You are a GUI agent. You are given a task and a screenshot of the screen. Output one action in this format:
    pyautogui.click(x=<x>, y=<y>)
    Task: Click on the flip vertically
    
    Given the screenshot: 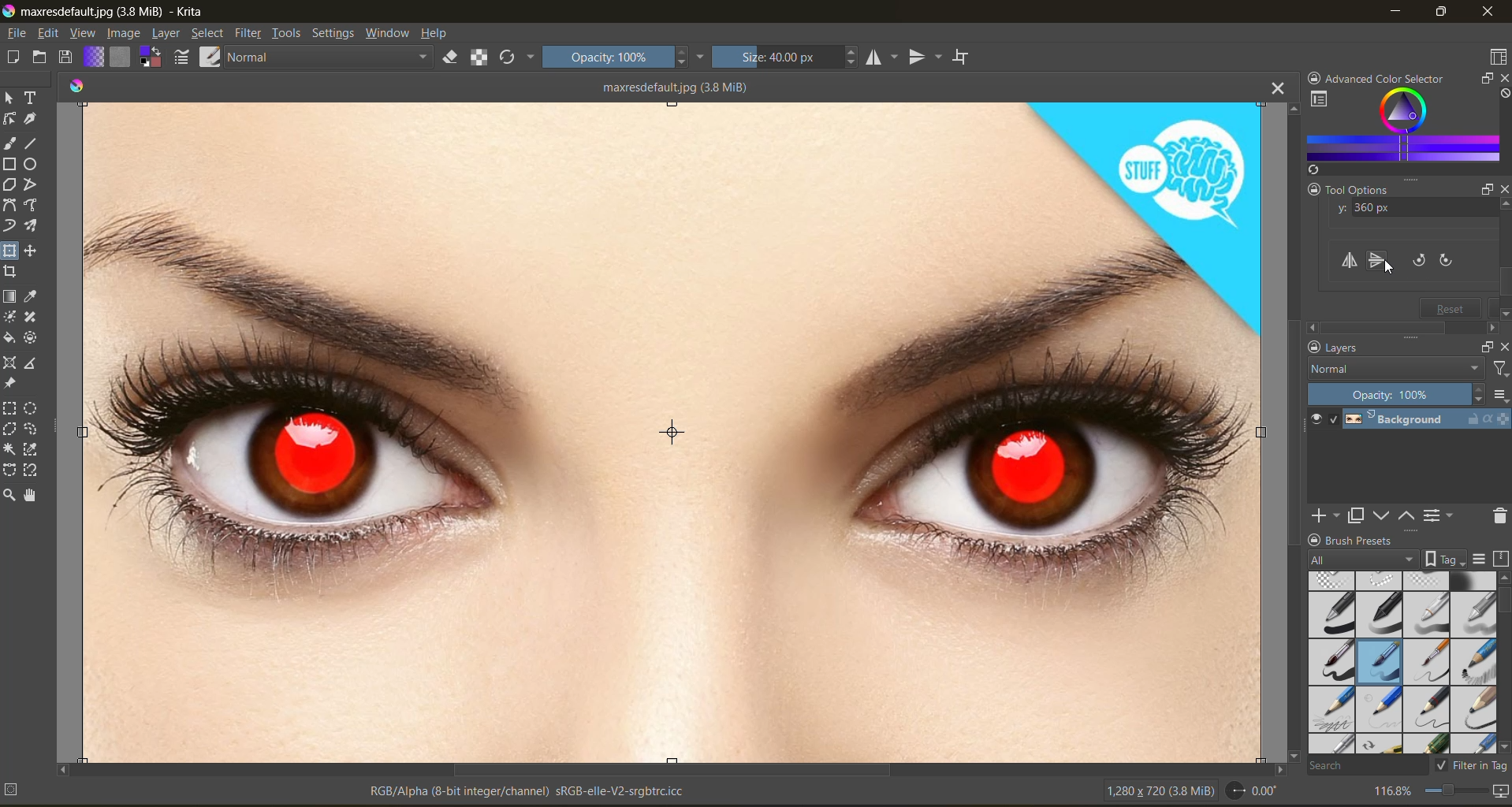 What is the action you would take?
    pyautogui.click(x=1376, y=260)
    